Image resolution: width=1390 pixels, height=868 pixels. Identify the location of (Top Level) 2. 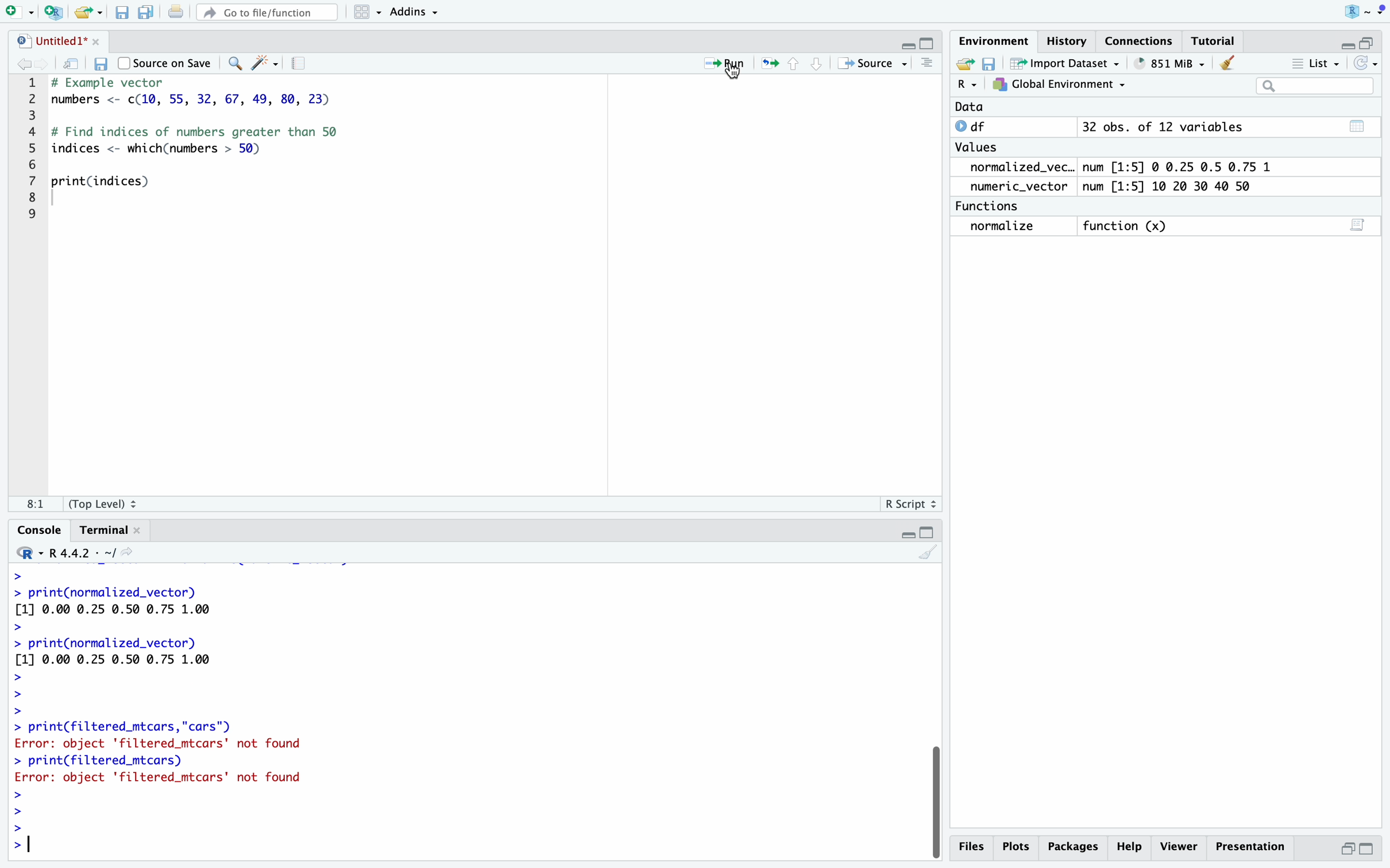
(105, 503).